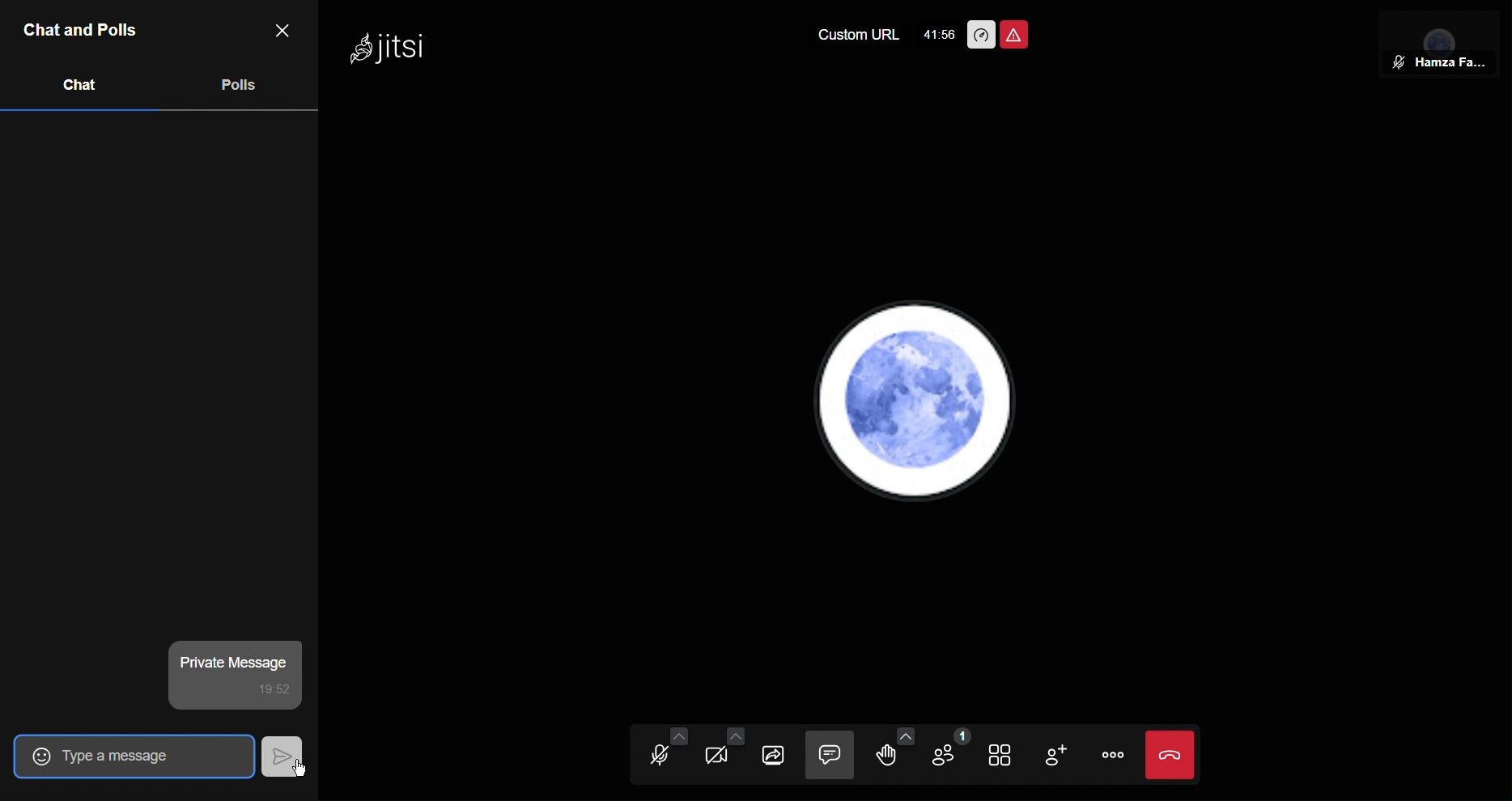 The image size is (1512, 801). Describe the element at coordinates (234, 677) in the screenshot. I see `private message` at that location.